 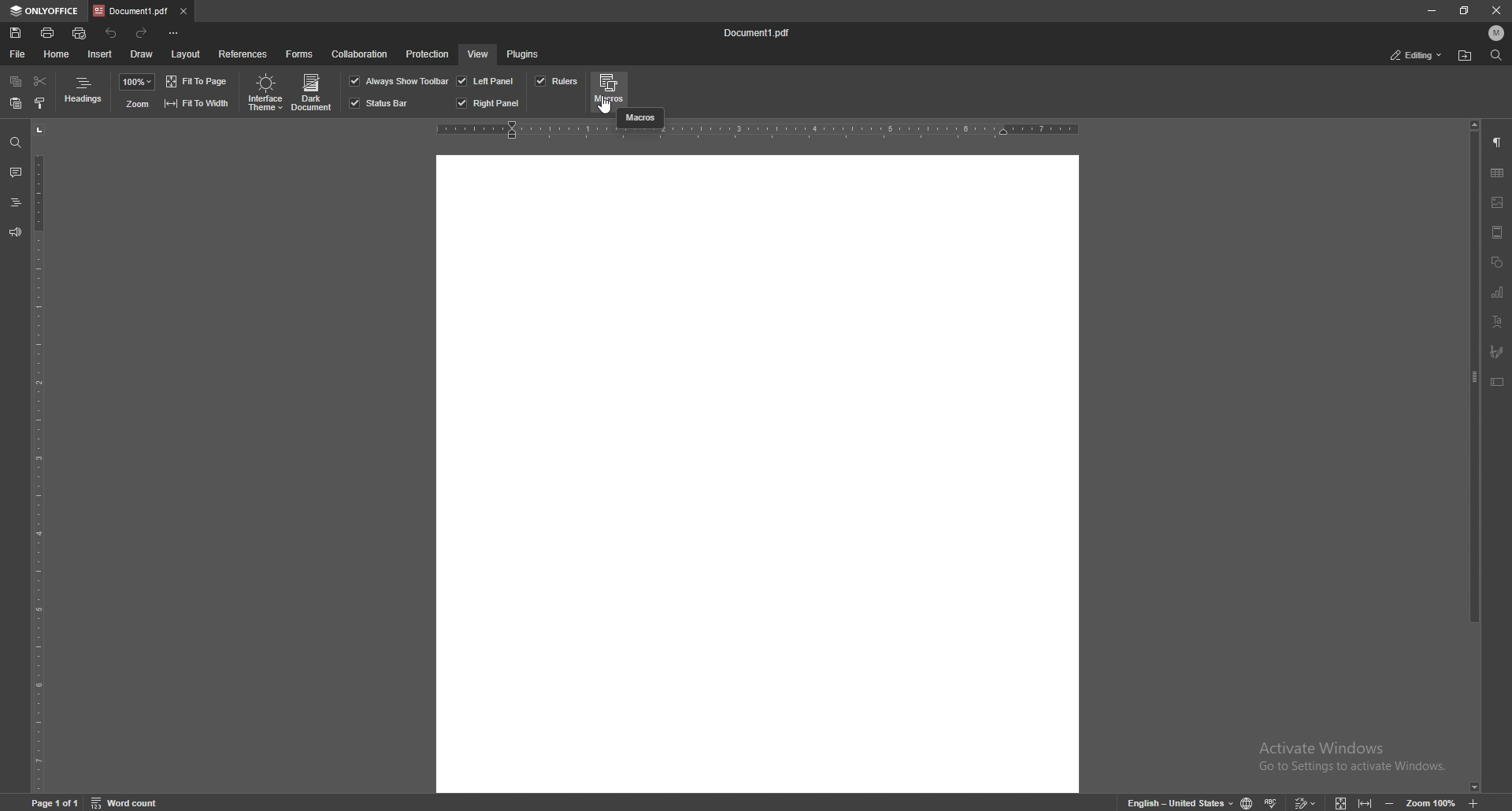 What do you see at coordinates (243, 53) in the screenshot?
I see `references` at bounding box center [243, 53].